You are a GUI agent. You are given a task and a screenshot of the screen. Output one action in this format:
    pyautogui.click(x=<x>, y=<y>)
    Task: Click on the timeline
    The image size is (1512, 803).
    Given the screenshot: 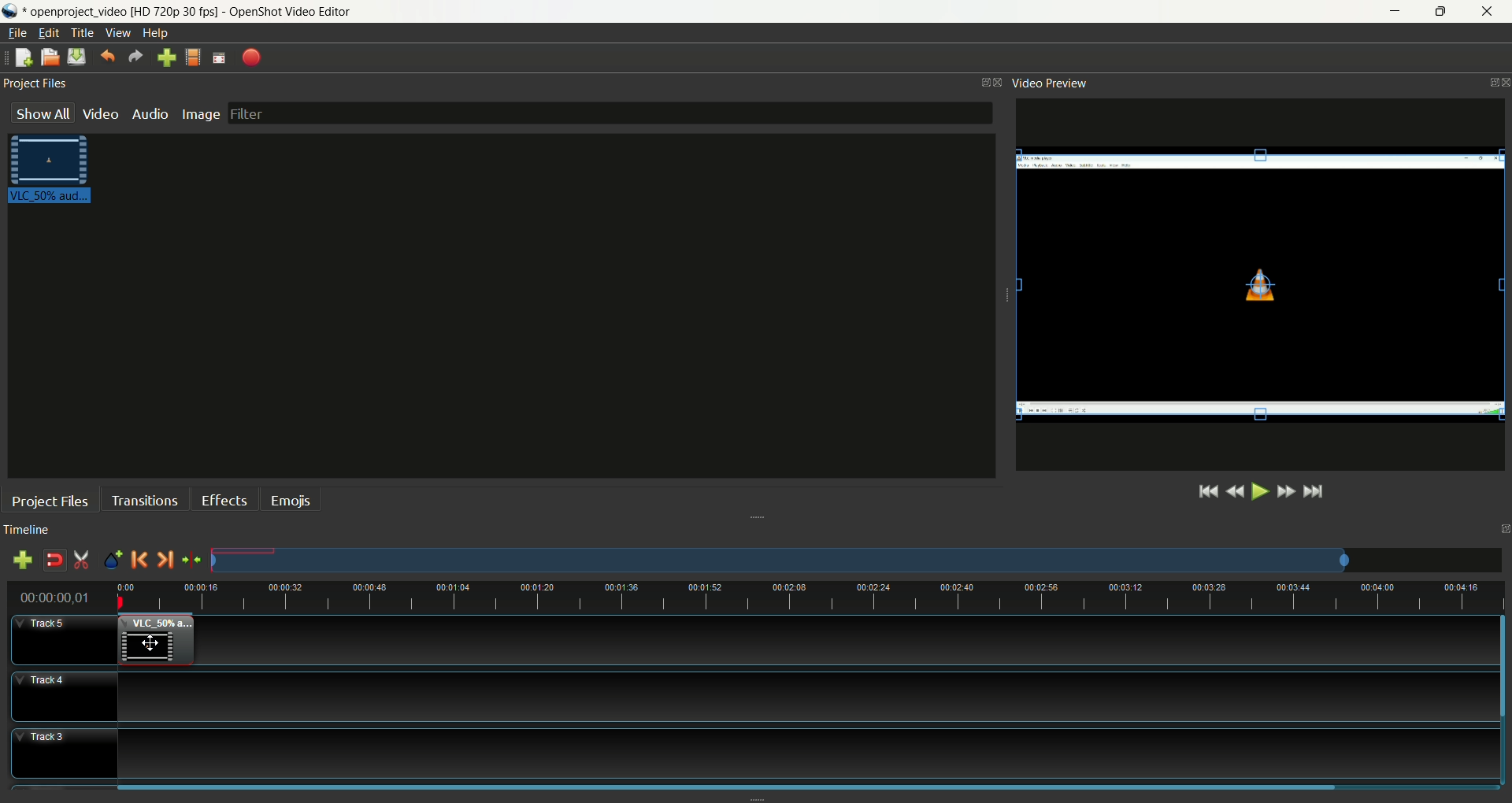 What is the action you would take?
    pyautogui.click(x=810, y=598)
    